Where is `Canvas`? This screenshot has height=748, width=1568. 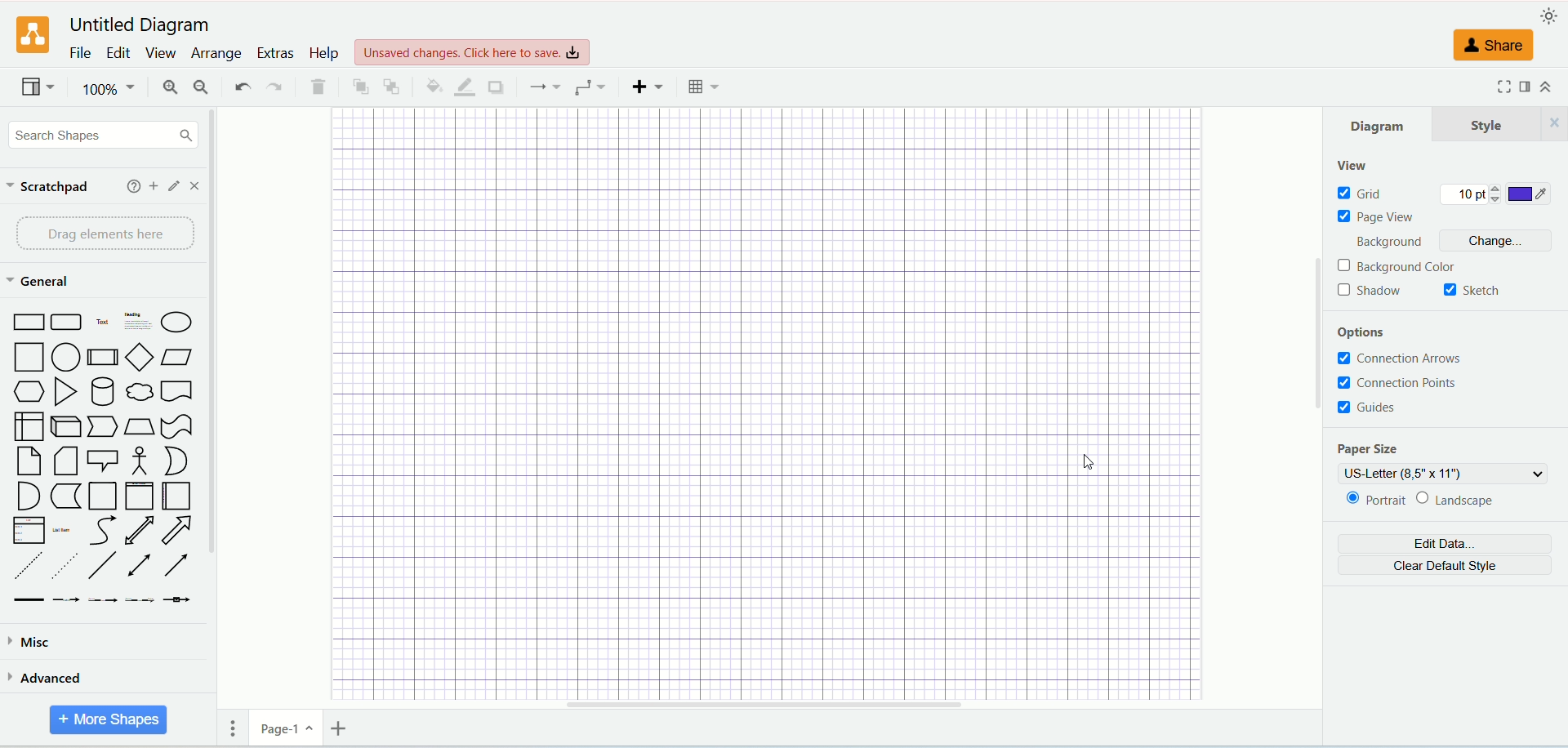
Canvas is located at coordinates (763, 404).